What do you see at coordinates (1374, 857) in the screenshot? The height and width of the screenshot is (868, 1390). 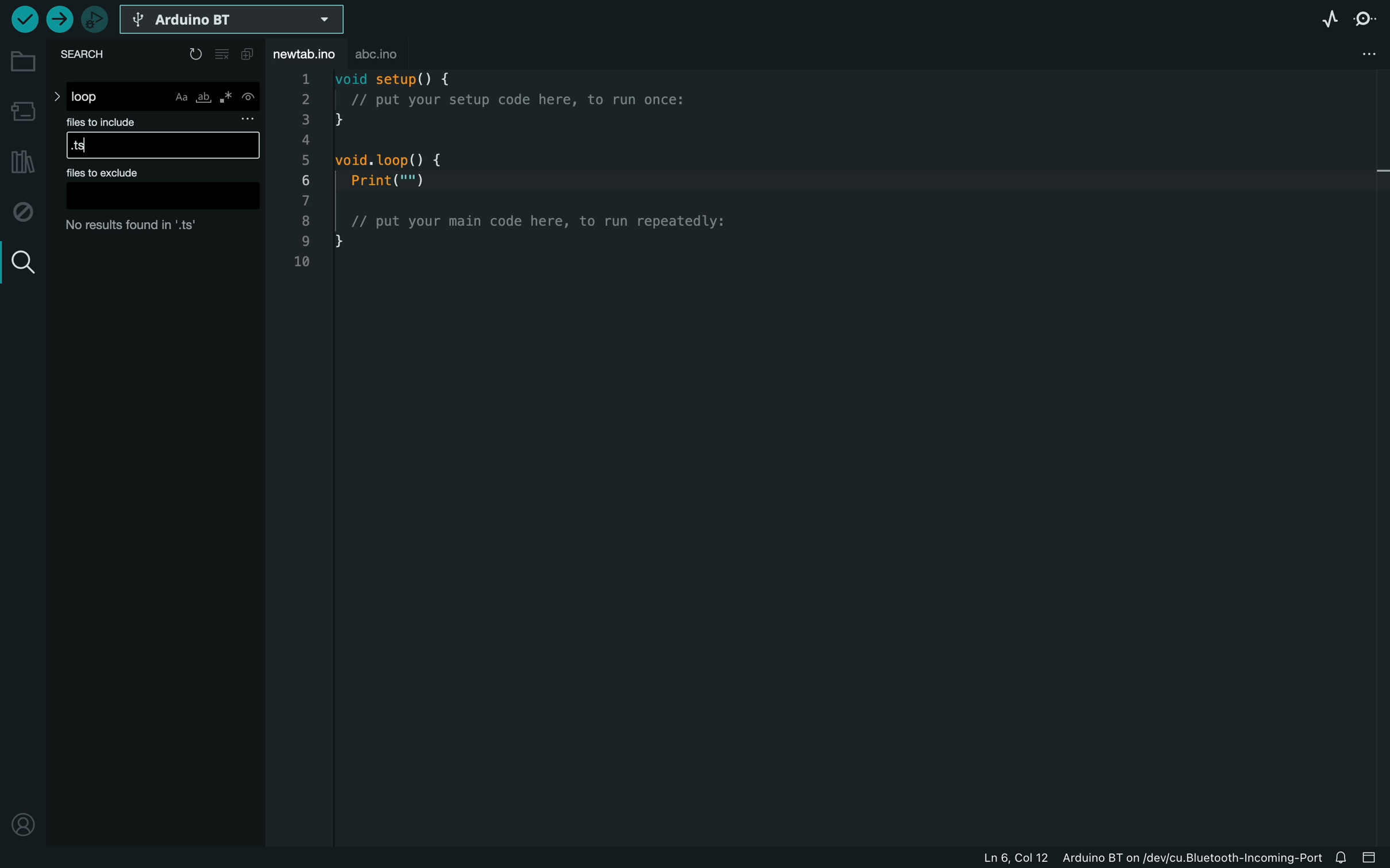 I see `close slide bar` at bounding box center [1374, 857].